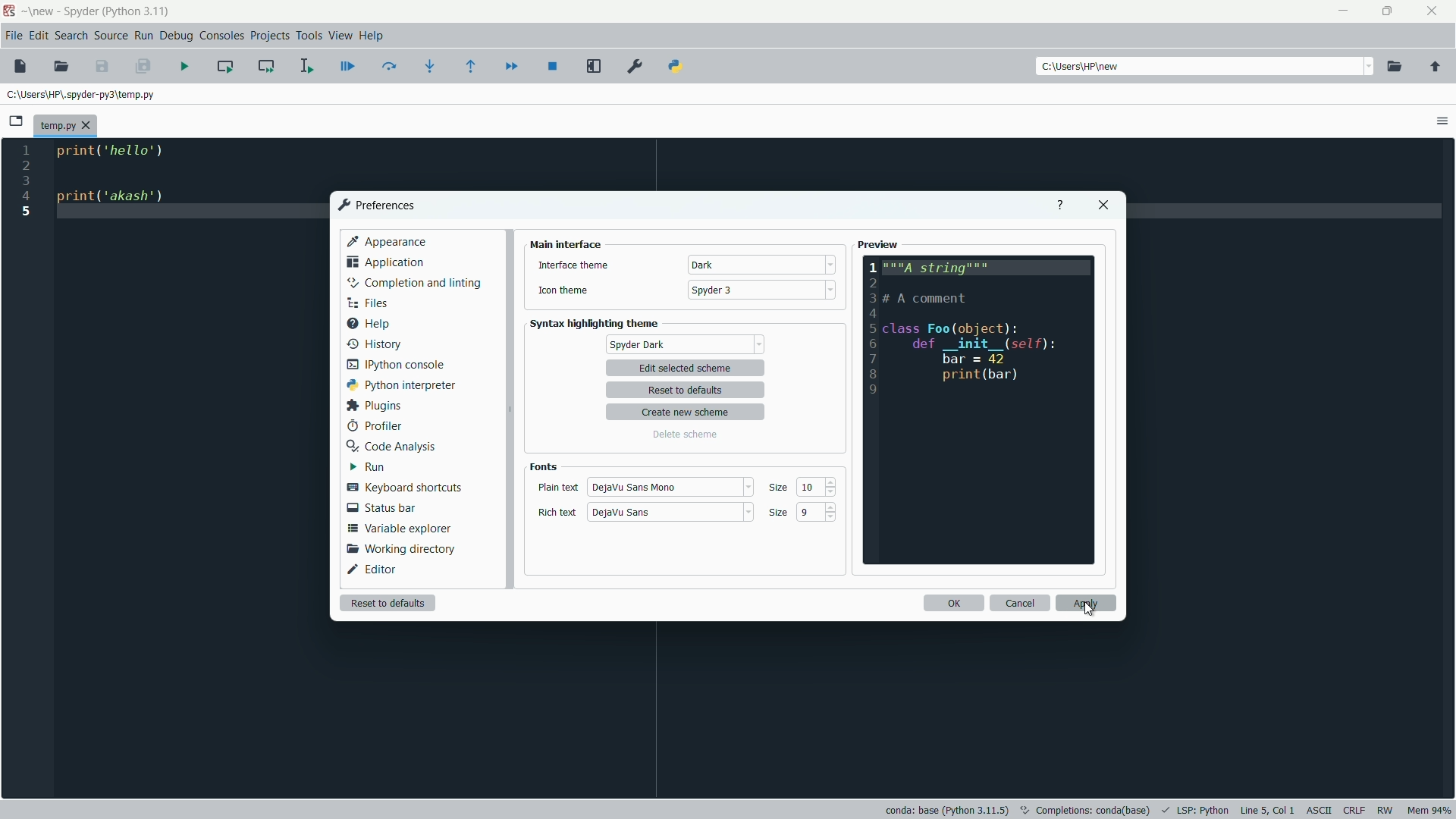  I want to click on app icon, so click(9, 11).